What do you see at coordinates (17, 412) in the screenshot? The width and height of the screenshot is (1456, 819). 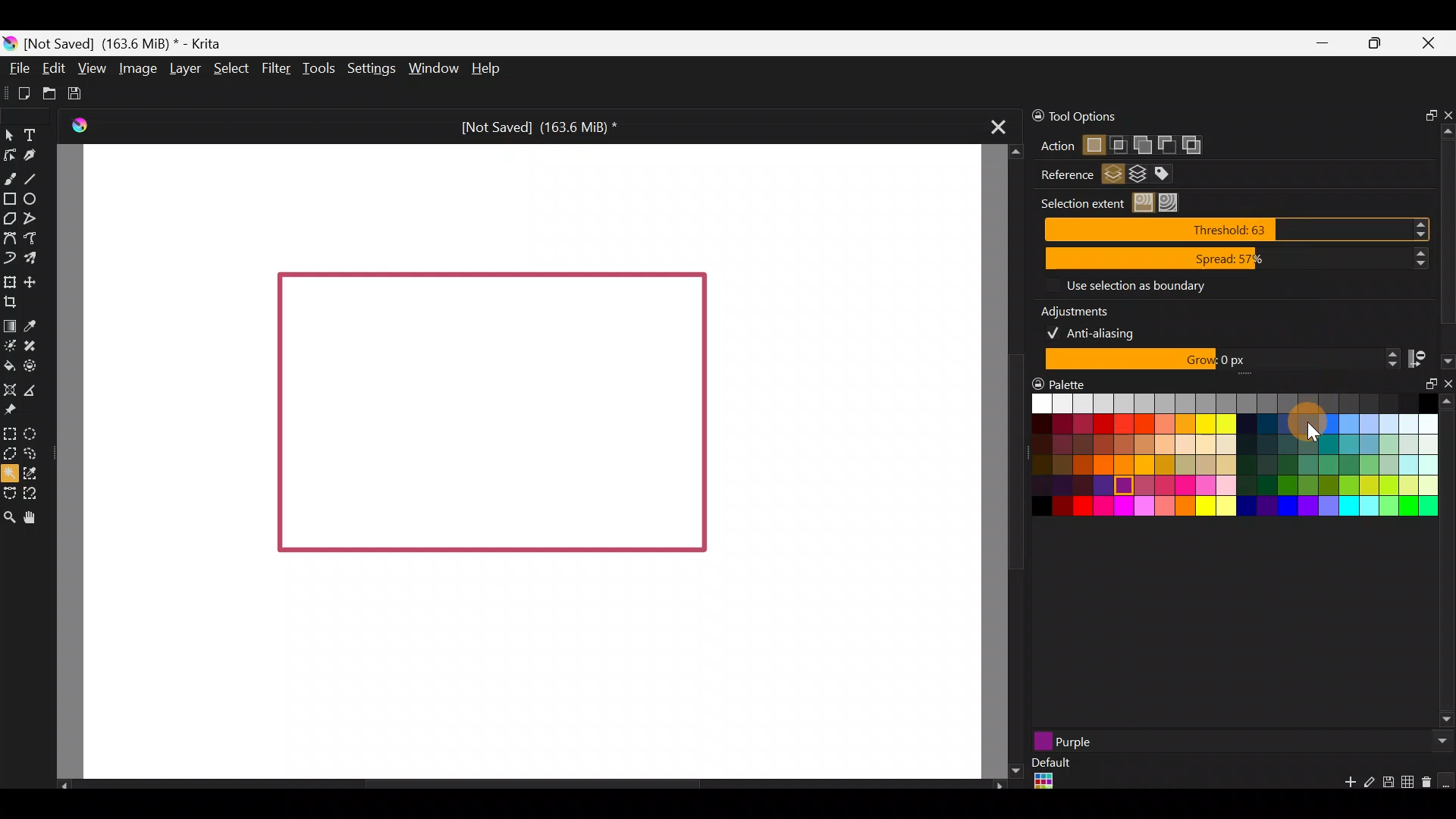 I see `Reference images tool` at bounding box center [17, 412].